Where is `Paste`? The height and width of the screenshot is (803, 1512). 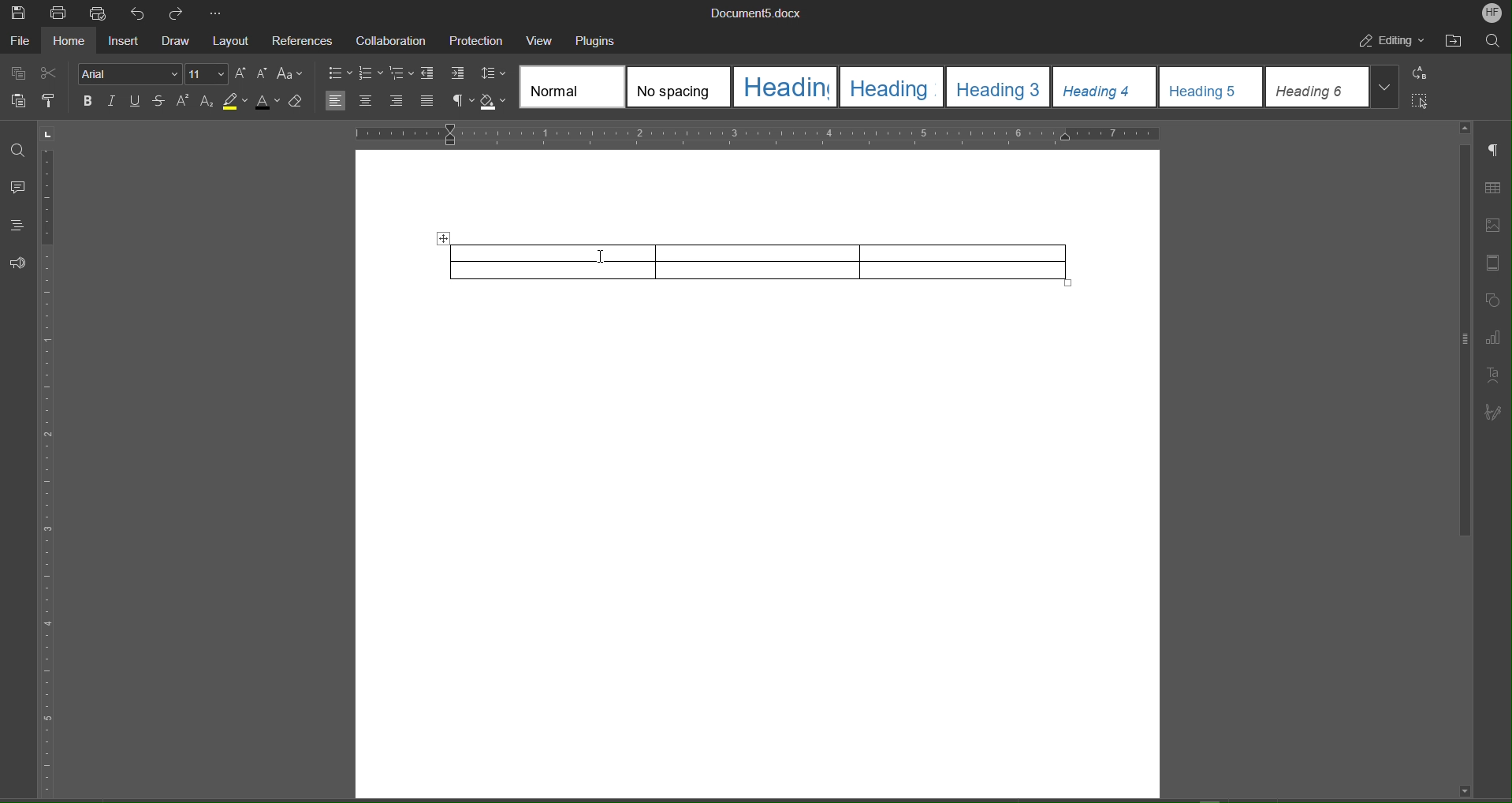
Paste is located at coordinates (15, 103).